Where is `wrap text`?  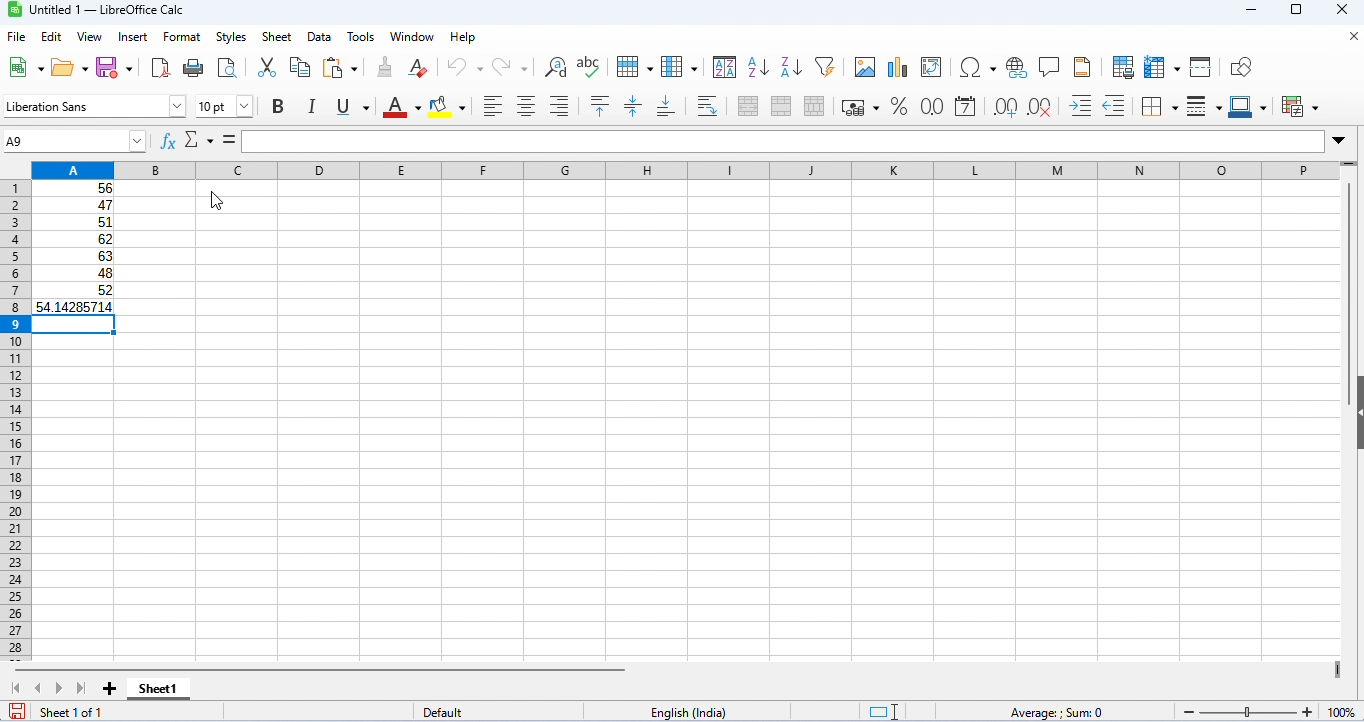
wrap text is located at coordinates (709, 105).